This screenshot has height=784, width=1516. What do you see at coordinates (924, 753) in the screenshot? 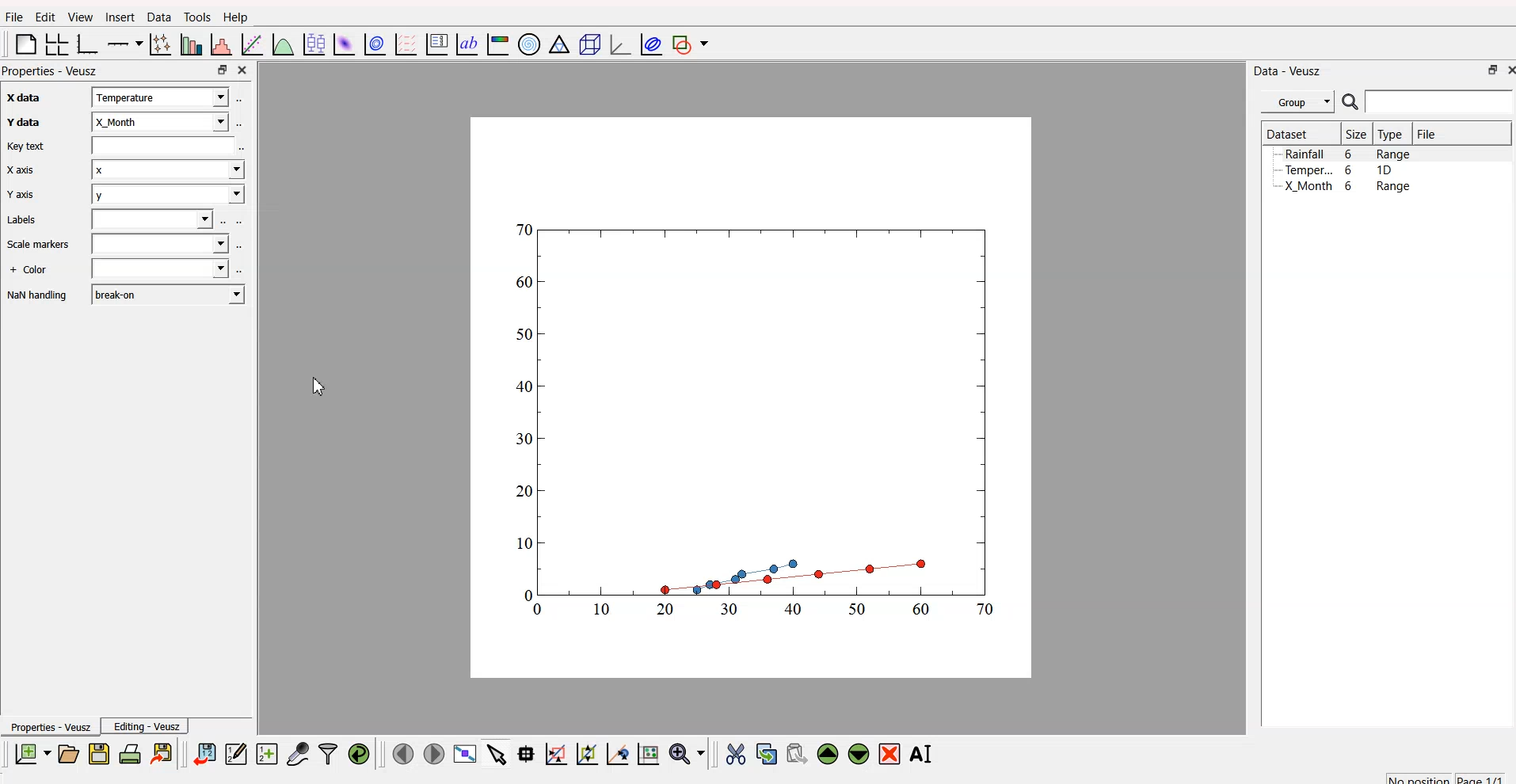
I see `rename the selected widget` at bounding box center [924, 753].